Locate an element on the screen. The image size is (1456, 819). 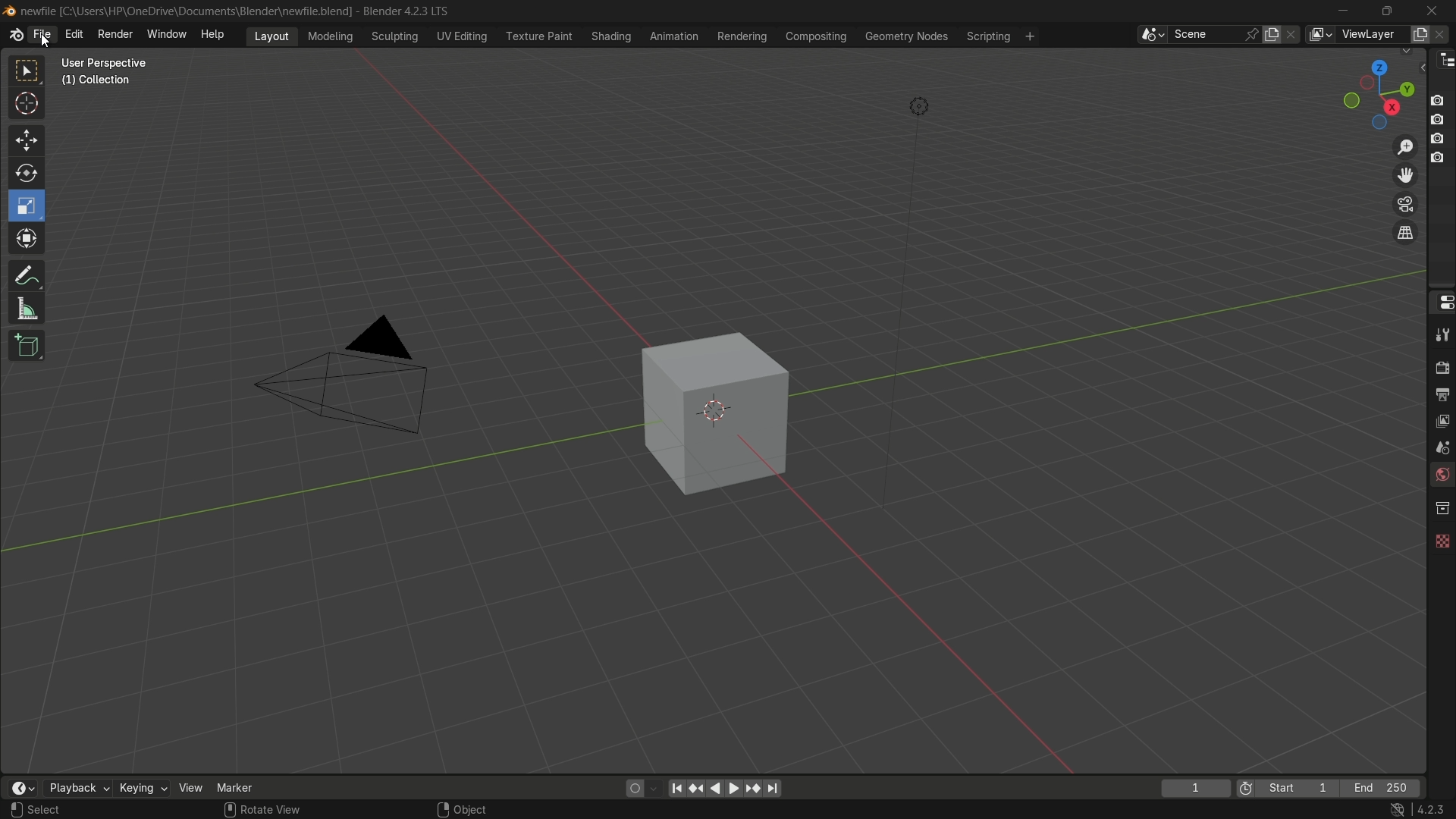
new scene is located at coordinates (1275, 34).